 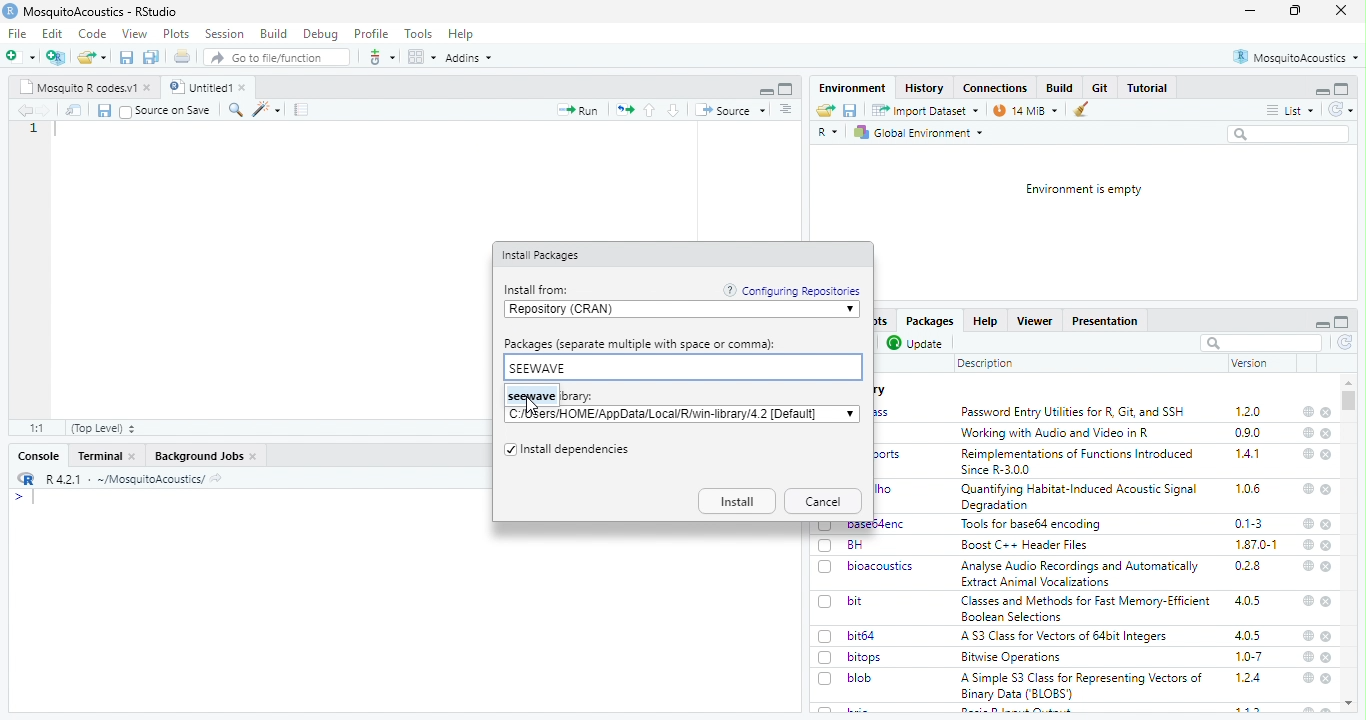 I want to click on 141, so click(x=1249, y=454).